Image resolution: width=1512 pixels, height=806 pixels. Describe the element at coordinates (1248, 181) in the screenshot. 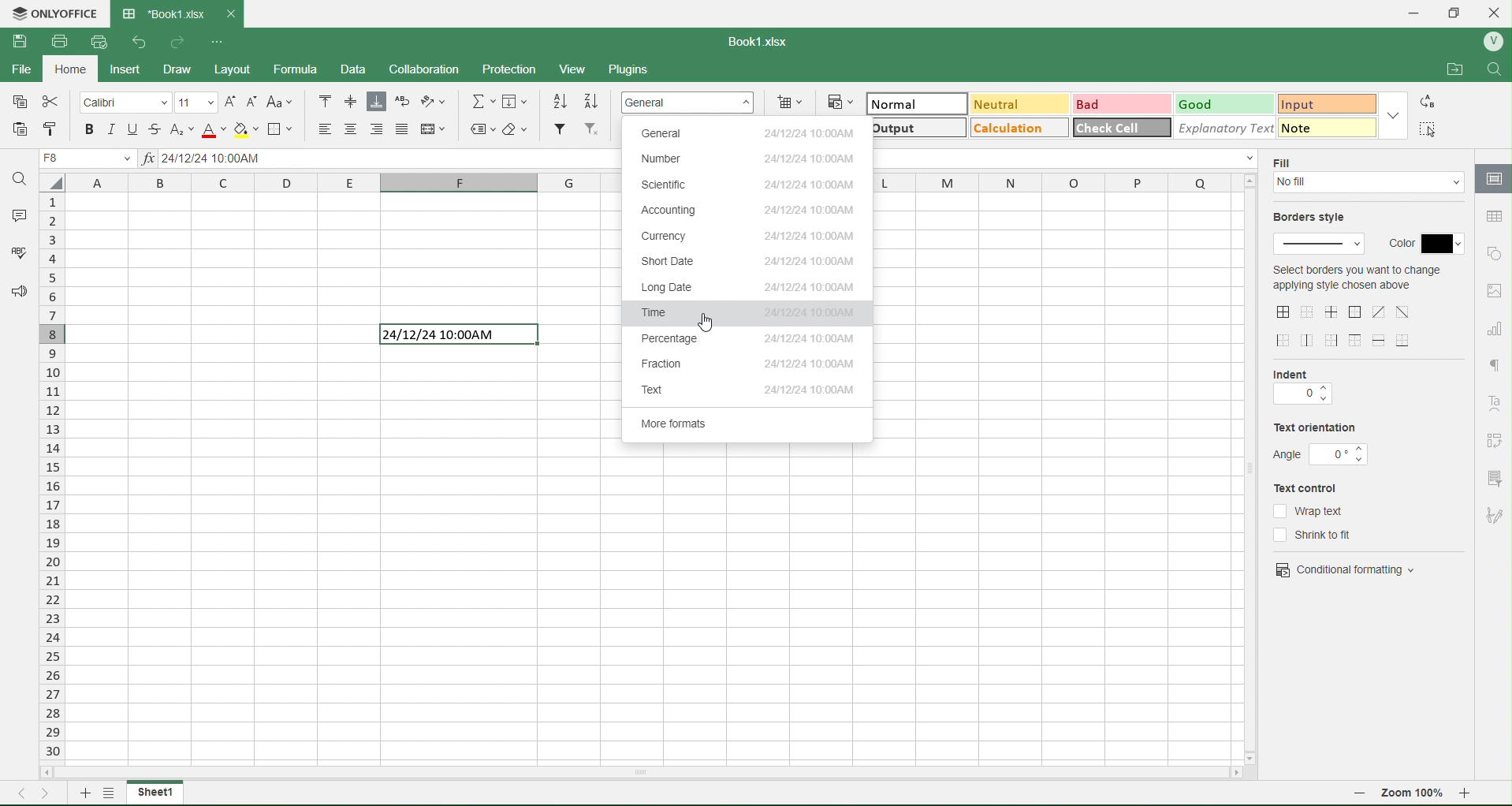

I see `scroll up` at that location.